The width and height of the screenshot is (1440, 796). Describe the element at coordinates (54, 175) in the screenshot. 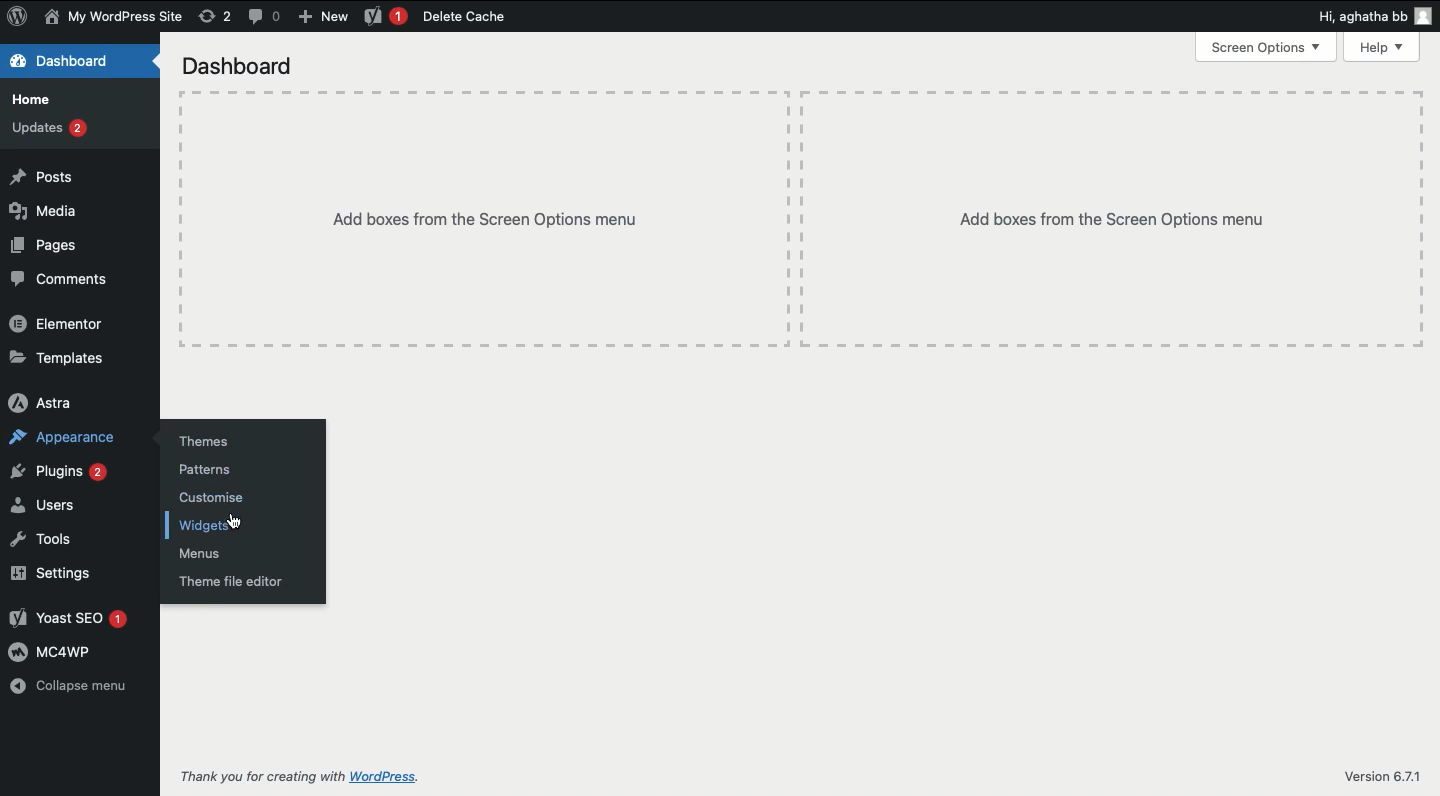

I see `Posts` at that location.